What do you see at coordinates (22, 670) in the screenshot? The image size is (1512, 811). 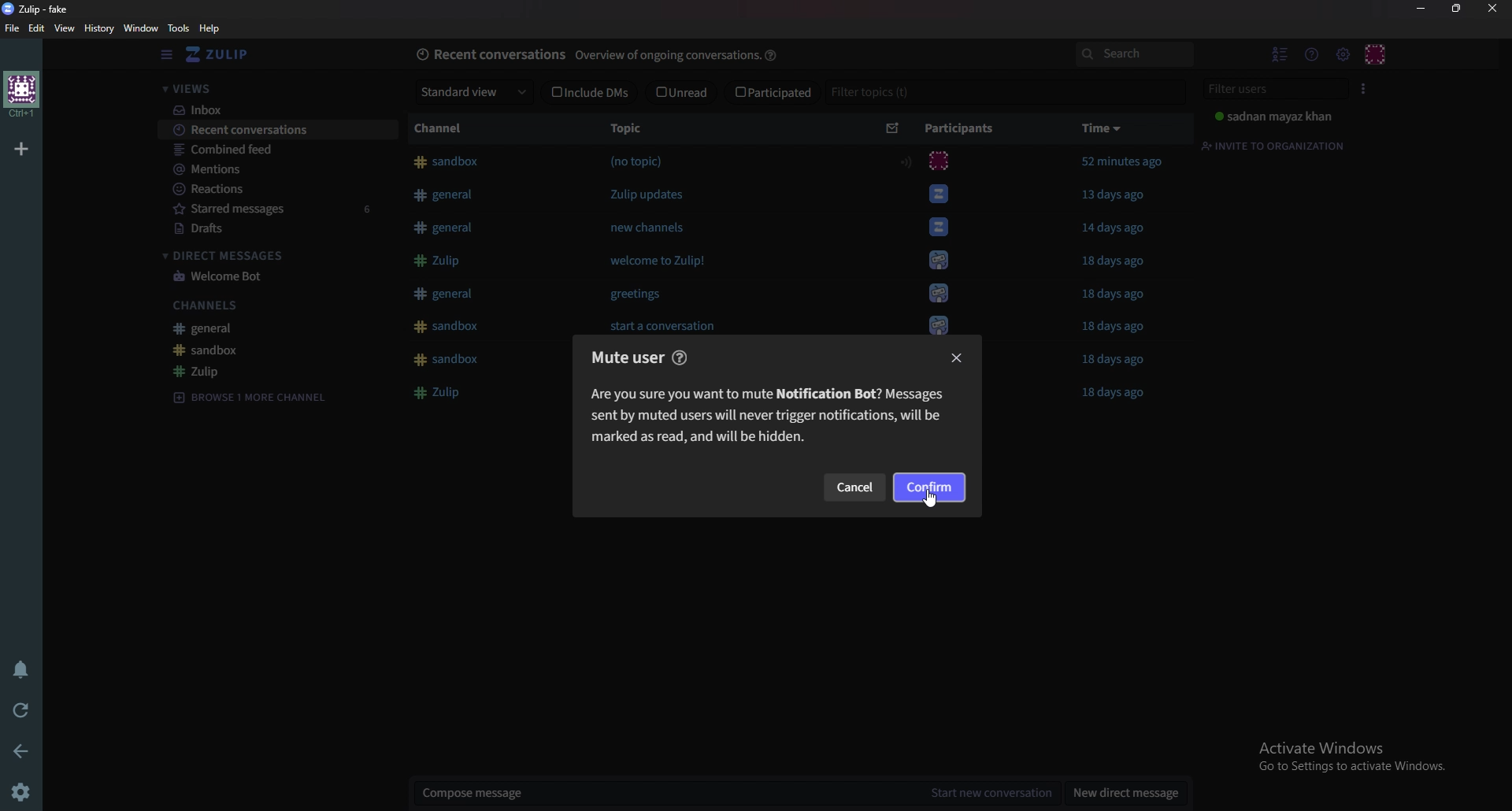 I see `Enable do not disturb` at bounding box center [22, 670].